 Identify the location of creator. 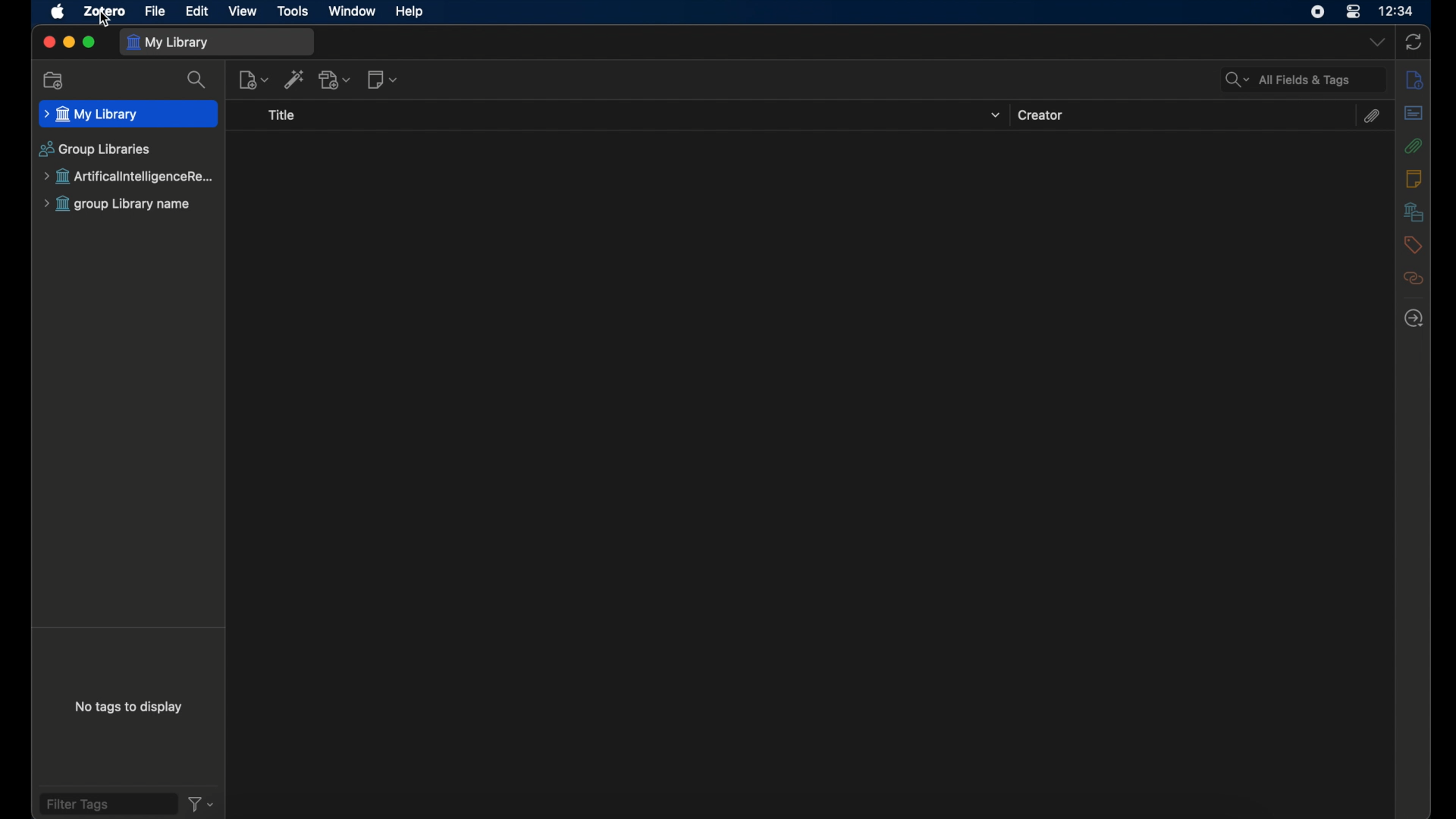
(1043, 115).